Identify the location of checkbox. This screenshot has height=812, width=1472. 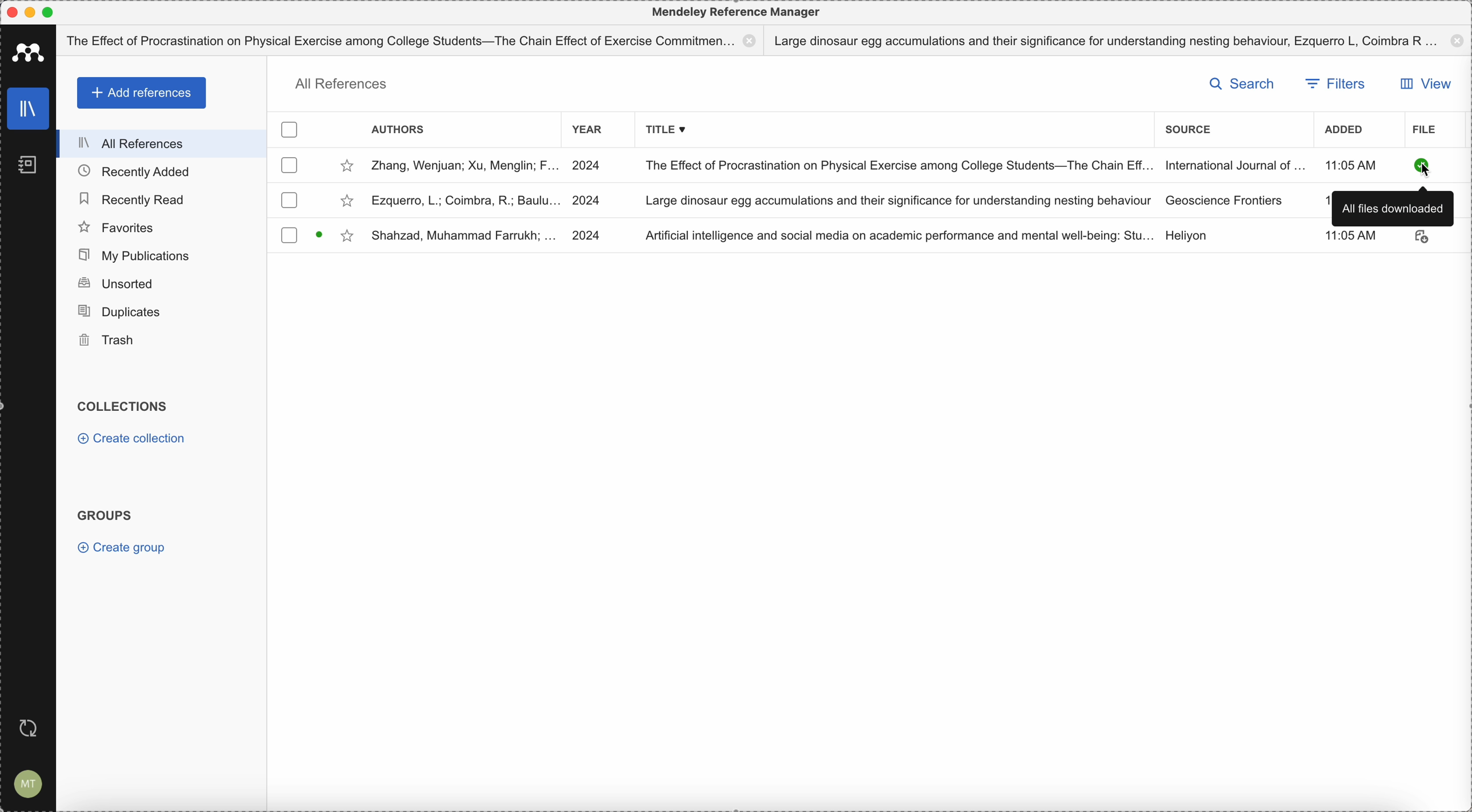
(290, 165).